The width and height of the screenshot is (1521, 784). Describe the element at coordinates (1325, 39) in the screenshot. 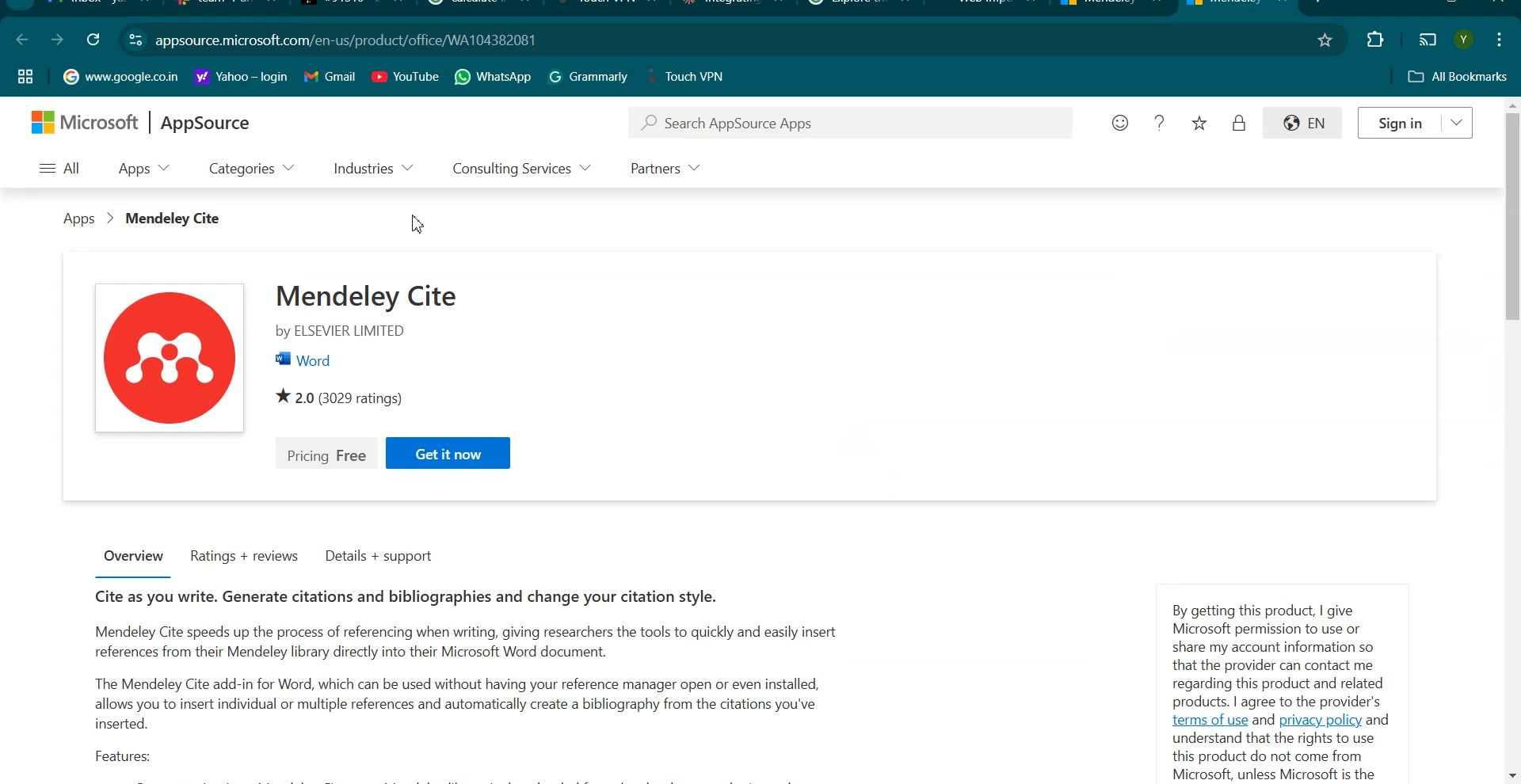

I see `Bookmarks this page` at that location.